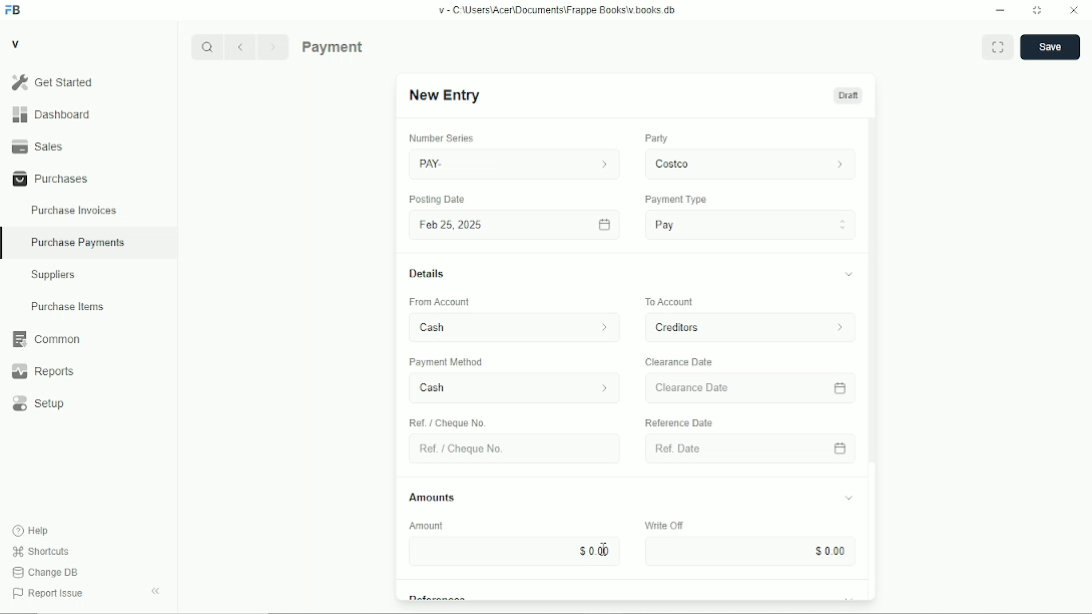 The width and height of the screenshot is (1092, 614). What do you see at coordinates (16, 43) in the screenshot?
I see `V` at bounding box center [16, 43].